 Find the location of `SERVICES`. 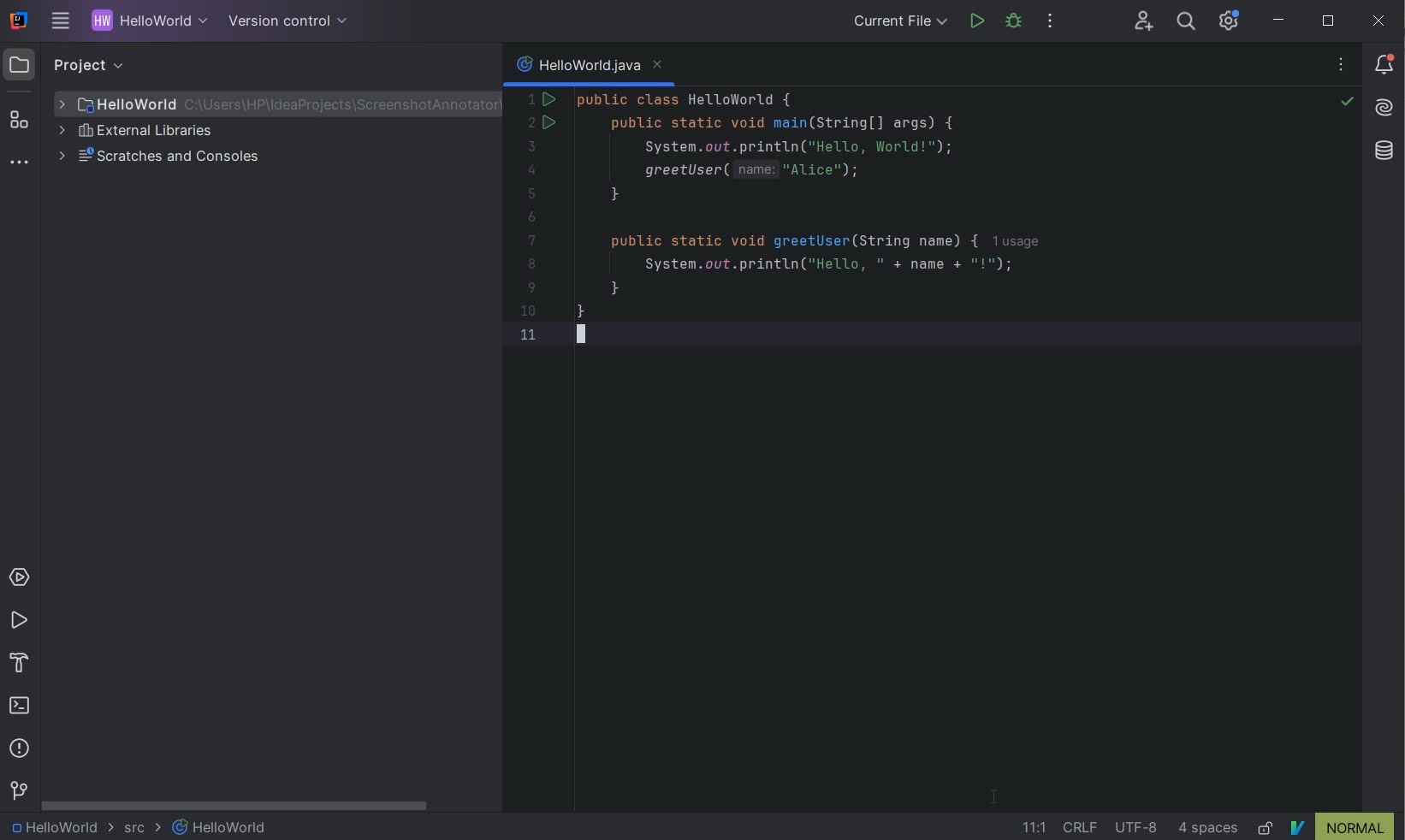

SERVICES is located at coordinates (20, 578).